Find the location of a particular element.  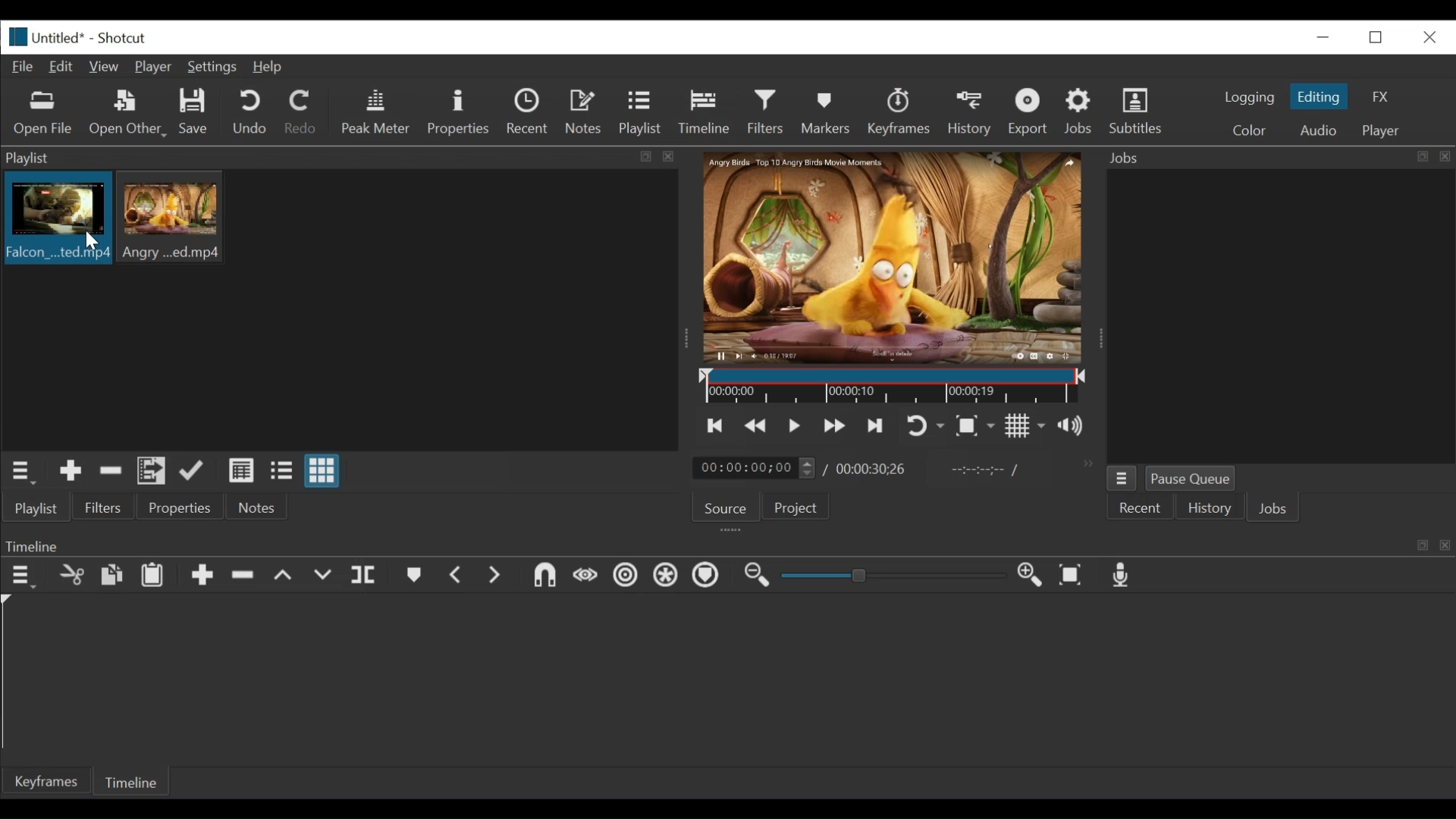

Audio is located at coordinates (1317, 130).